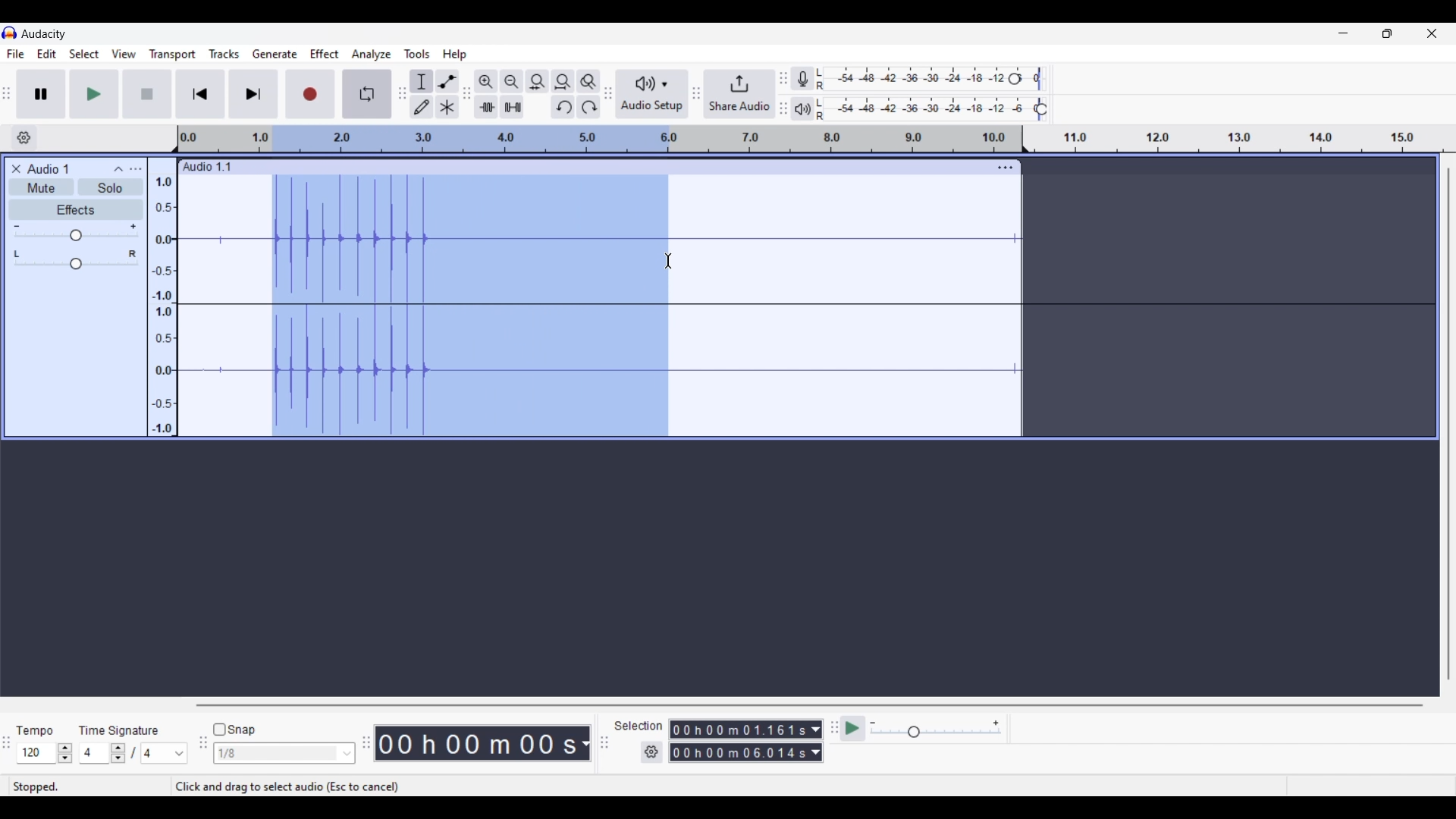 This screenshot has height=819, width=1456. I want to click on Edit menu, so click(47, 53).